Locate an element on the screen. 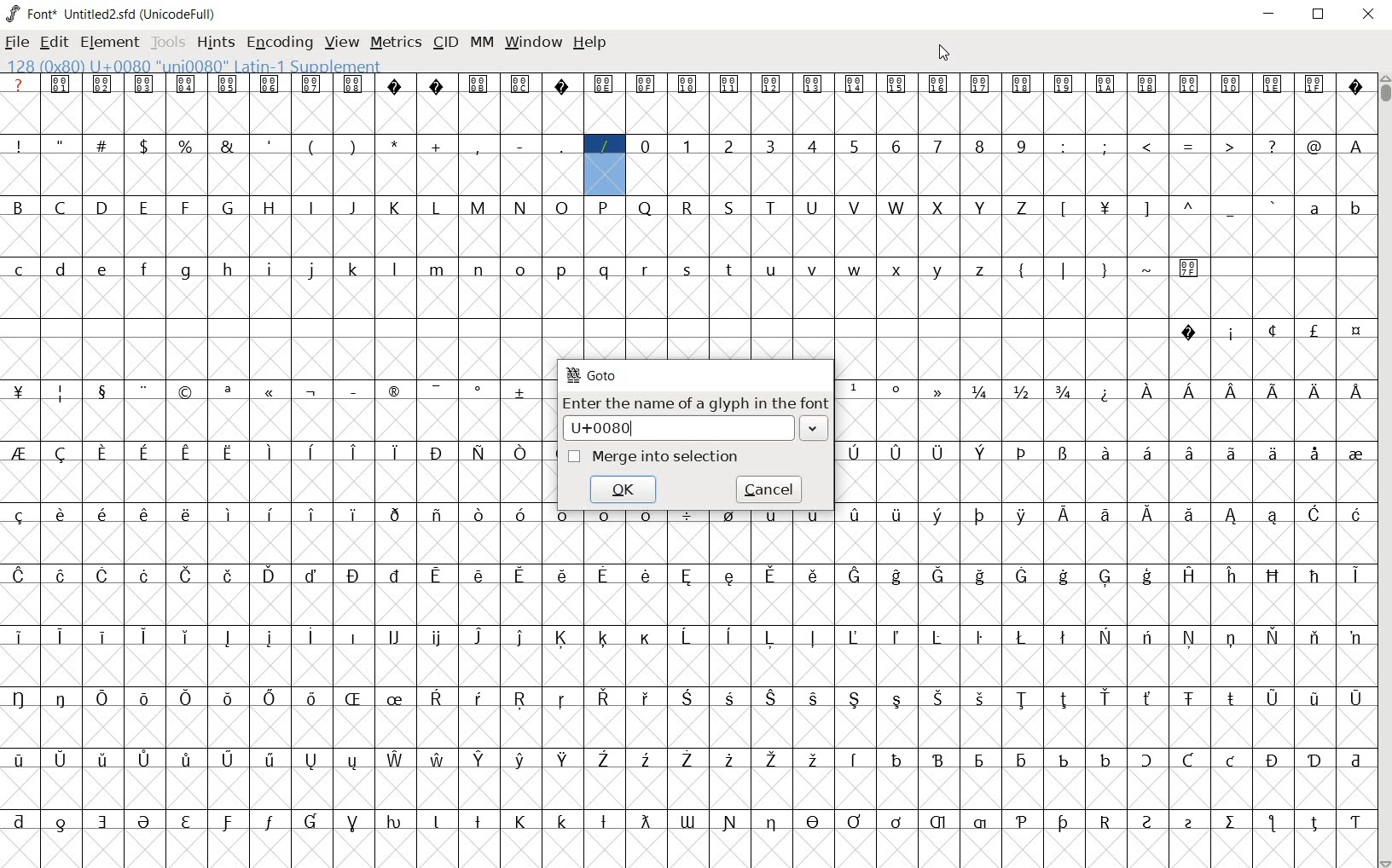 The height and width of the screenshot is (868, 1392). glyph is located at coordinates (60, 143).